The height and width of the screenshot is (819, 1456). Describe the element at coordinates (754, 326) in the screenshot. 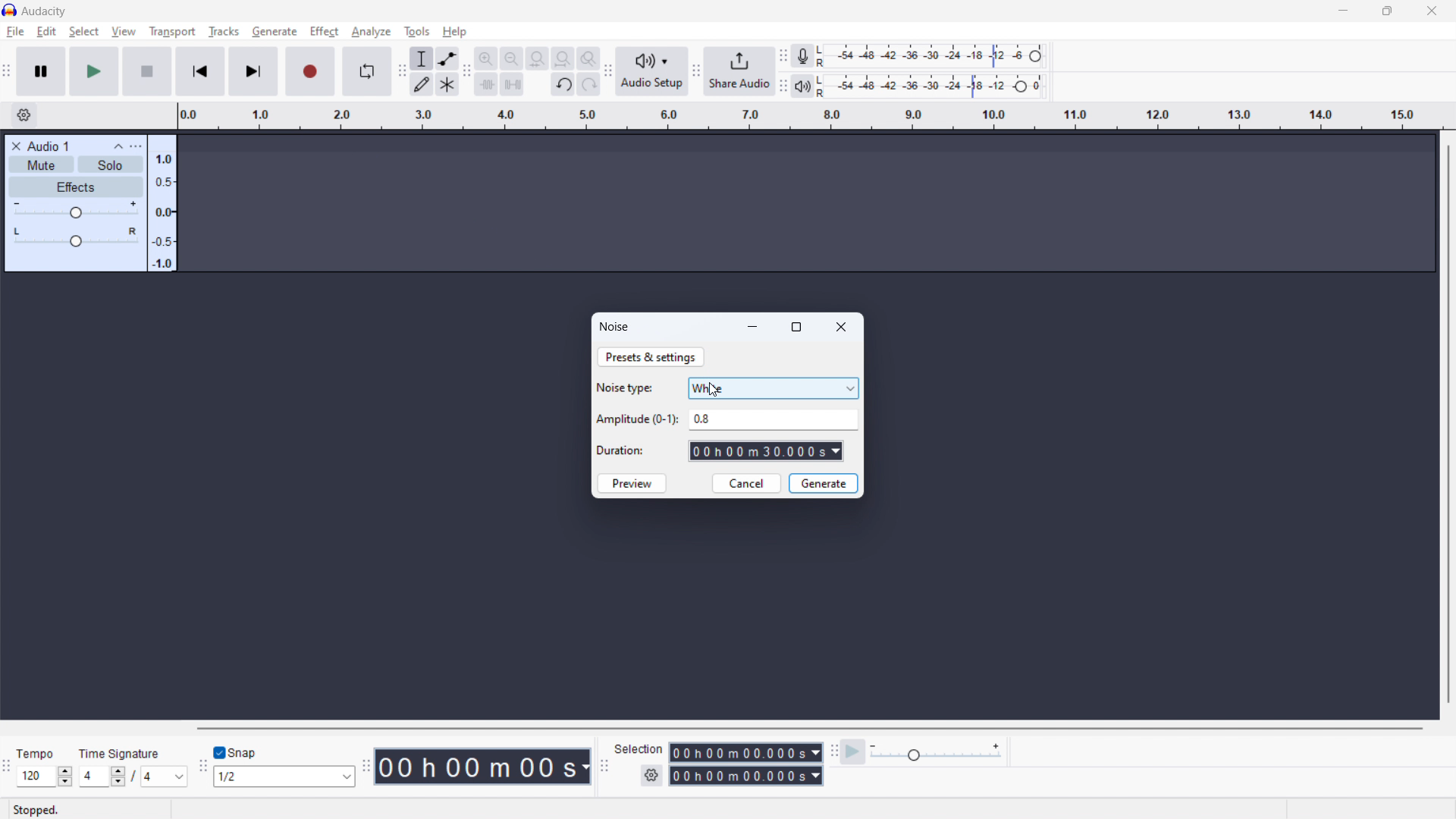

I see `minimize` at that location.